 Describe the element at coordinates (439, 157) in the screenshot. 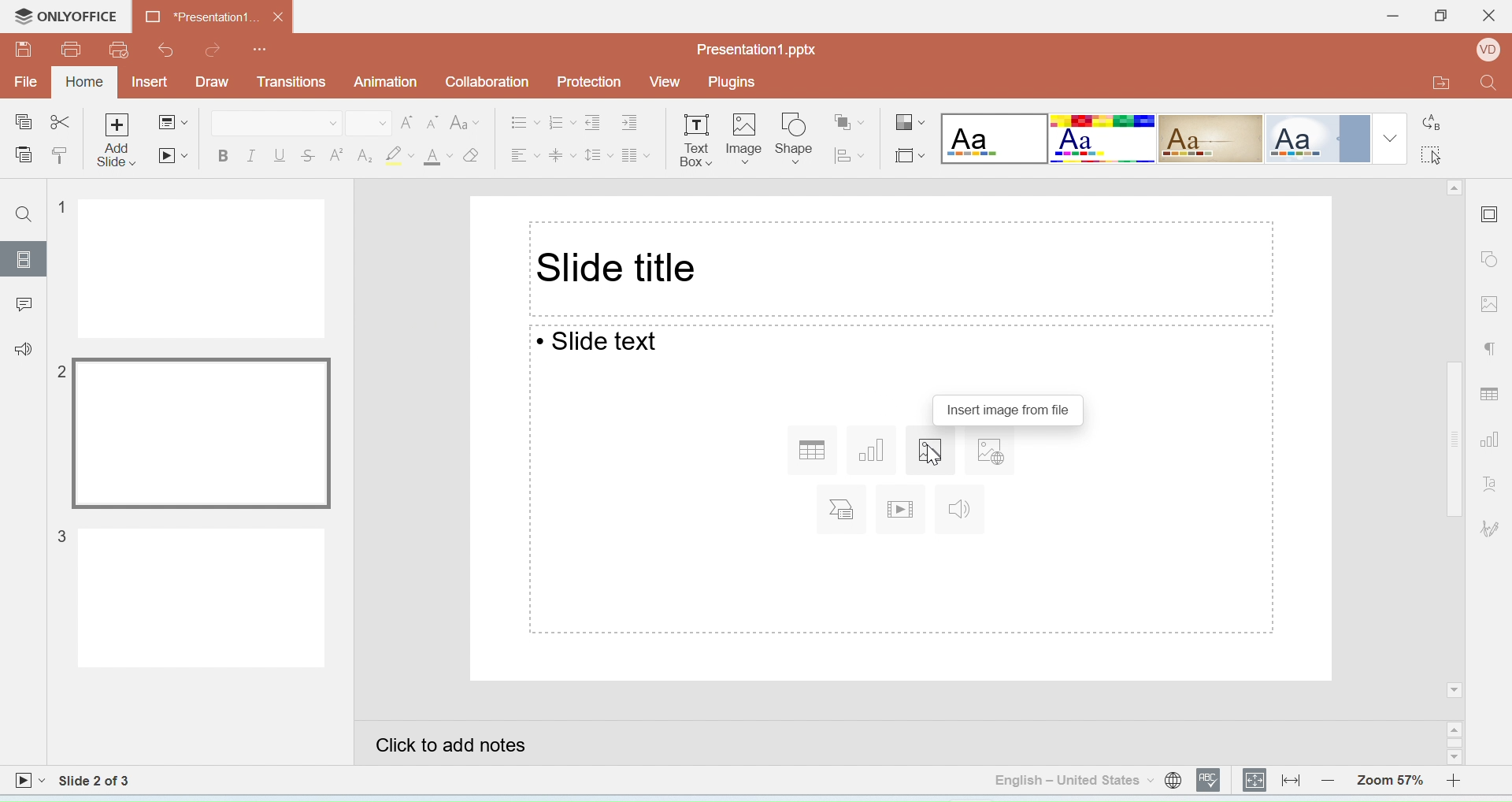

I see `Font color` at that location.